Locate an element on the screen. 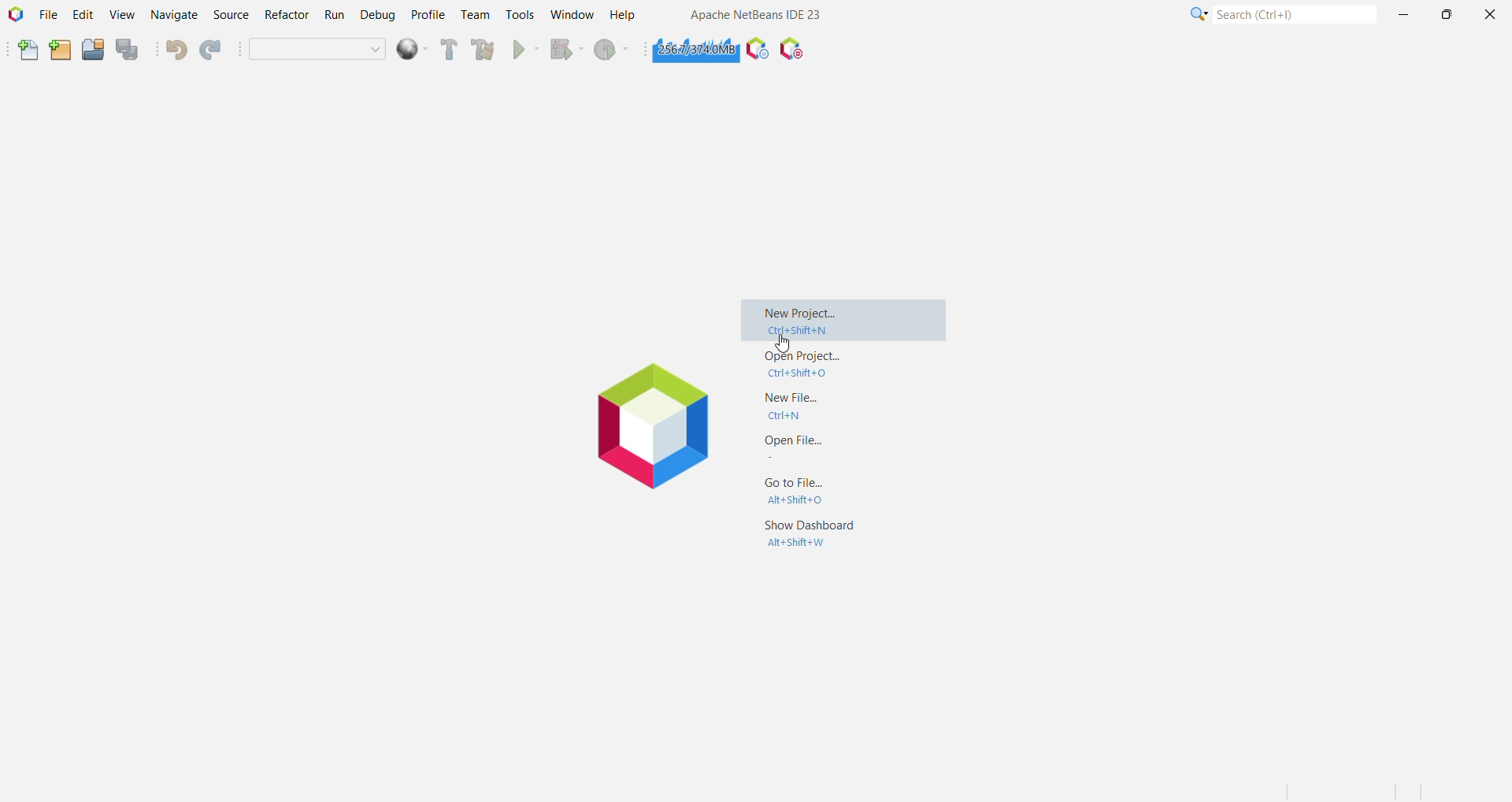 This screenshot has height=802, width=1512. Application Name and Version is located at coordinates (758, 16).